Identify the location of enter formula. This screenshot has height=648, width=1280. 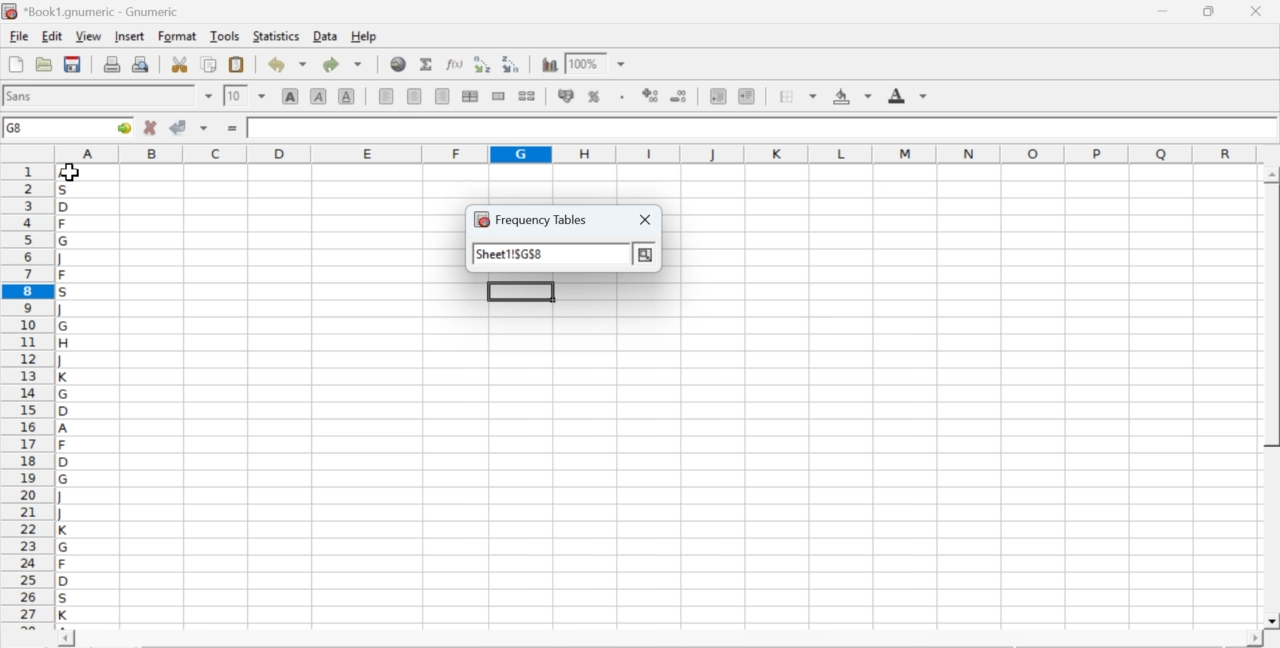
(234, 129).